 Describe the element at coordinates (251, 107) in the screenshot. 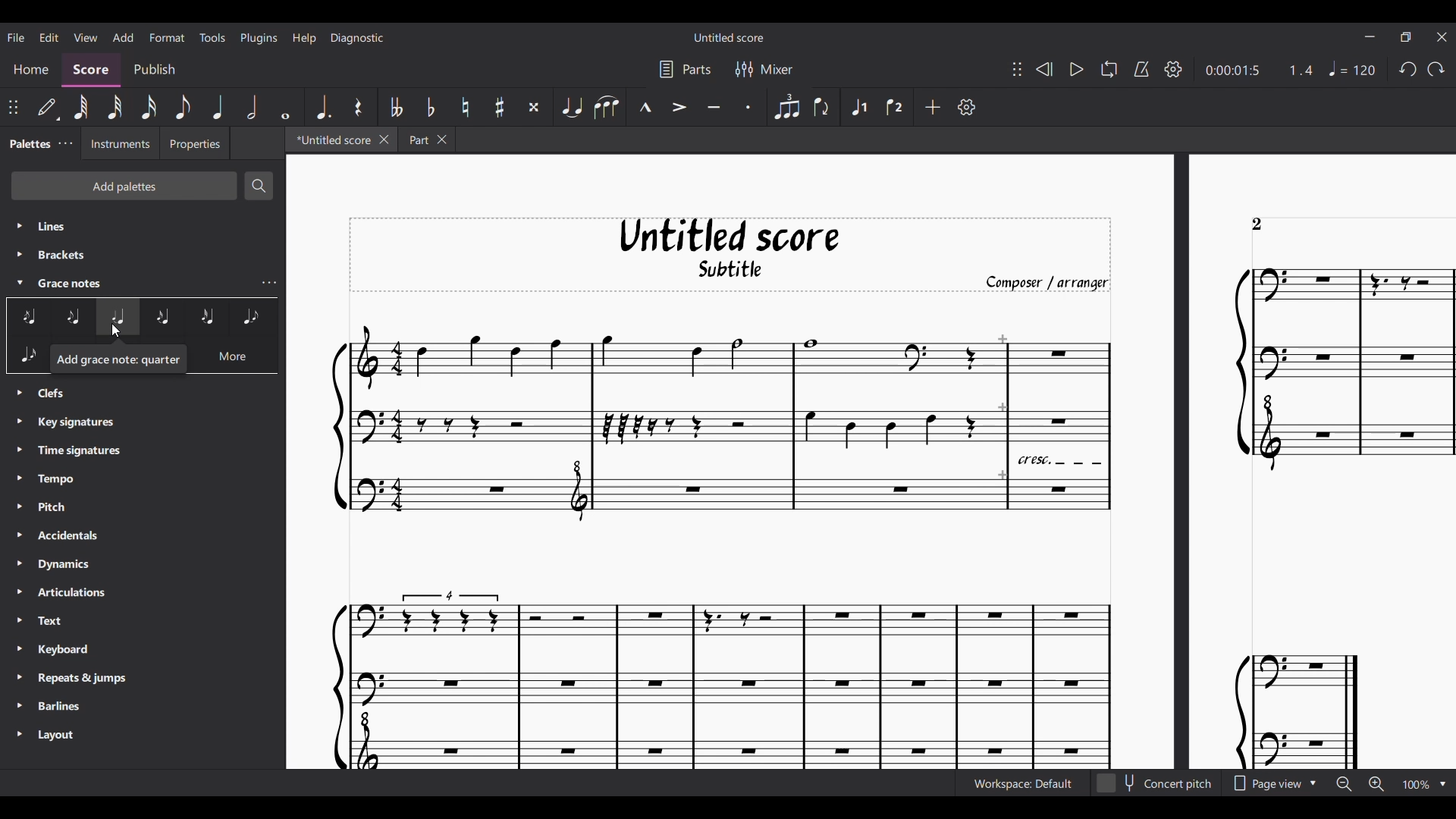

I see `Half note` at that location.